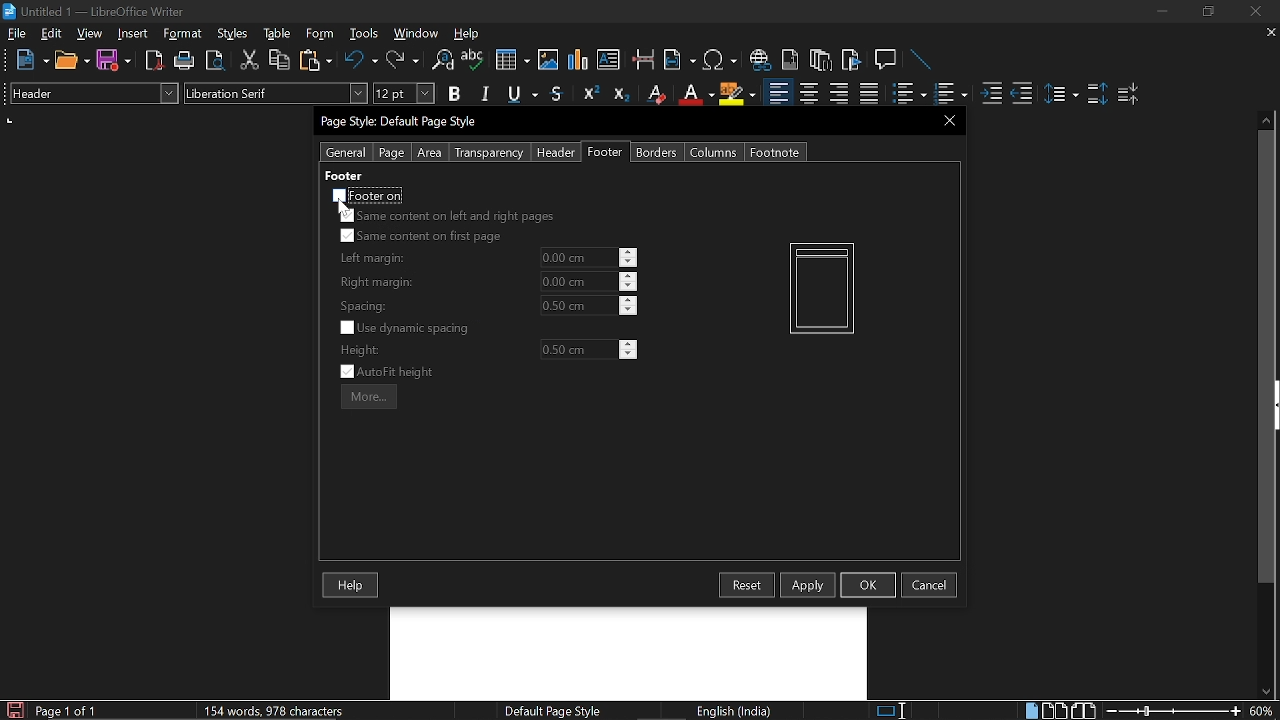 The width and height of the screenshot is (1280, 720). Describe the element at coordinates (314, 59) in the screenshot. I see `Paste` at that location.